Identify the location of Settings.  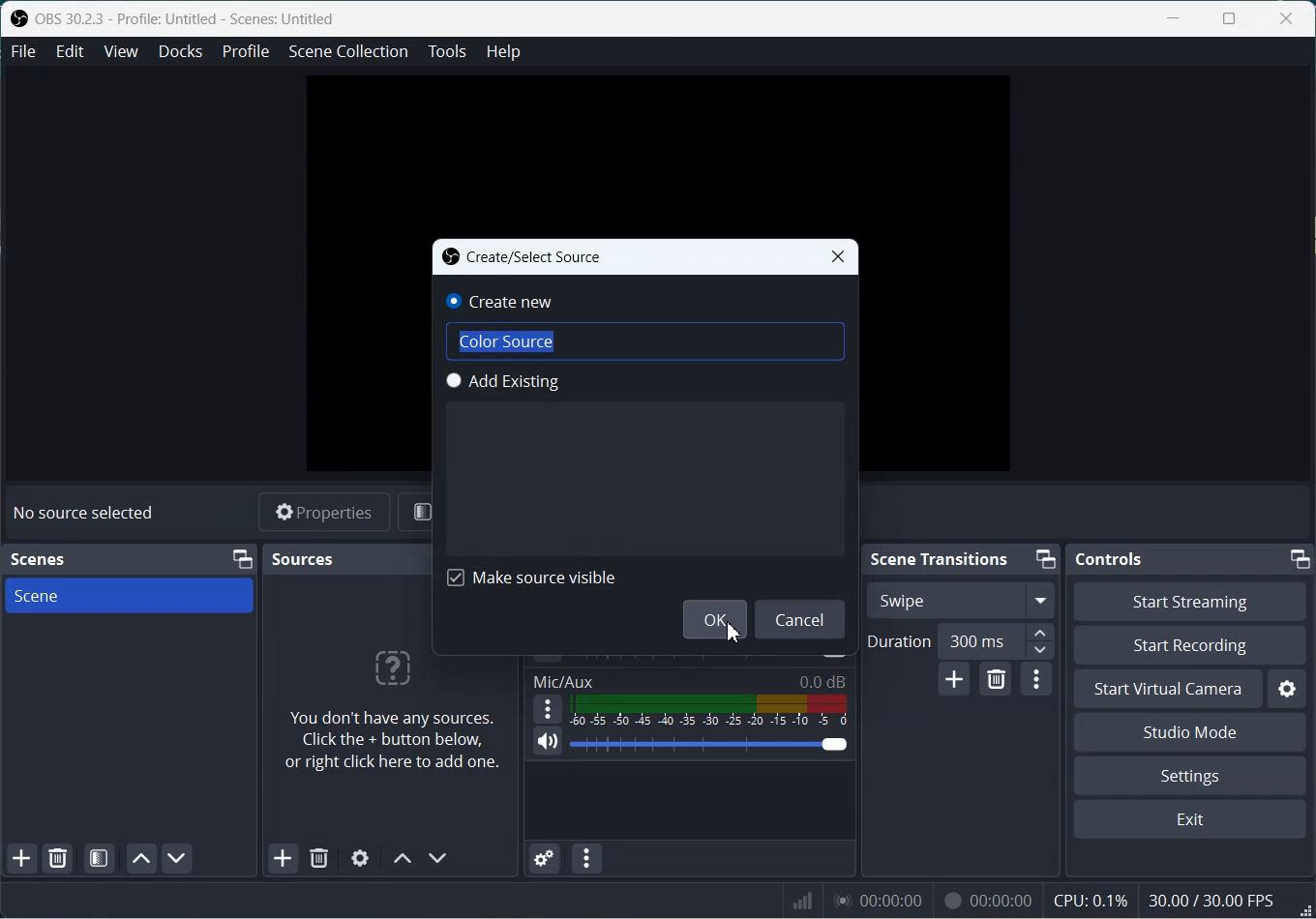
(1188, 775).